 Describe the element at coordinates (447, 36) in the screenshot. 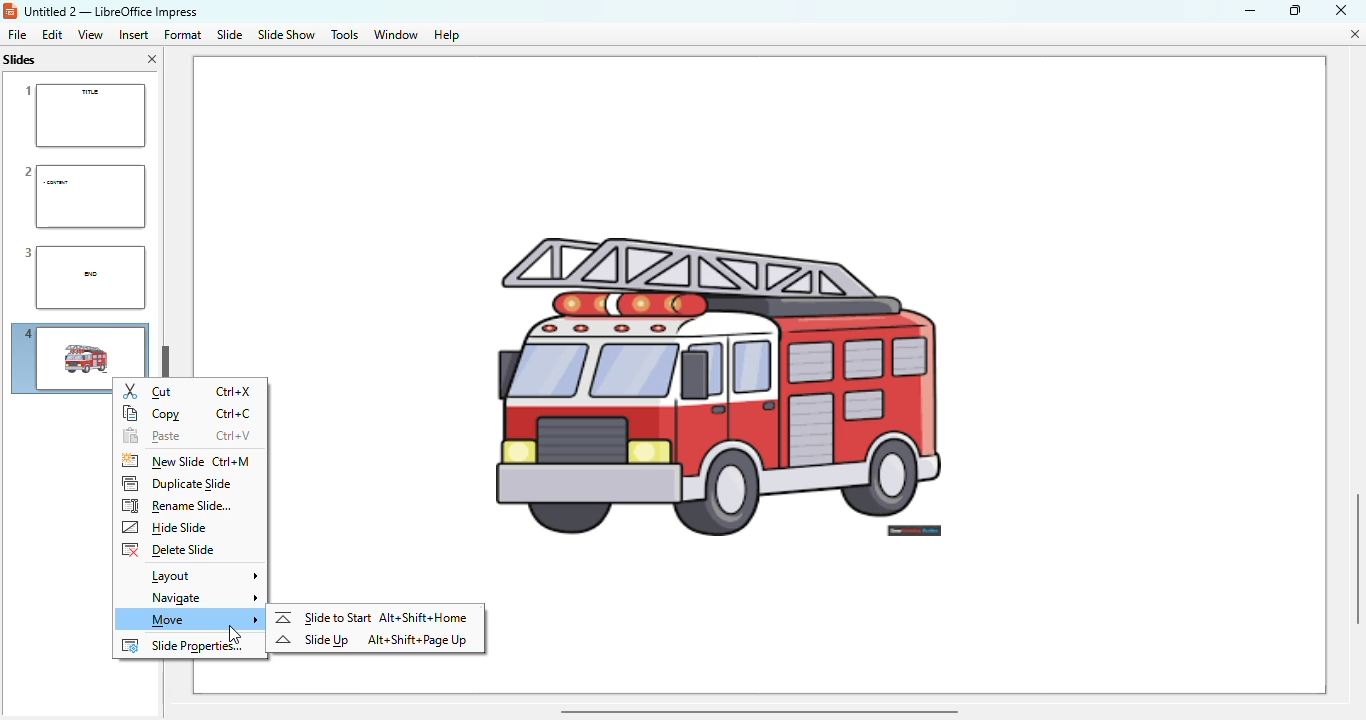

I see `help` at that location.